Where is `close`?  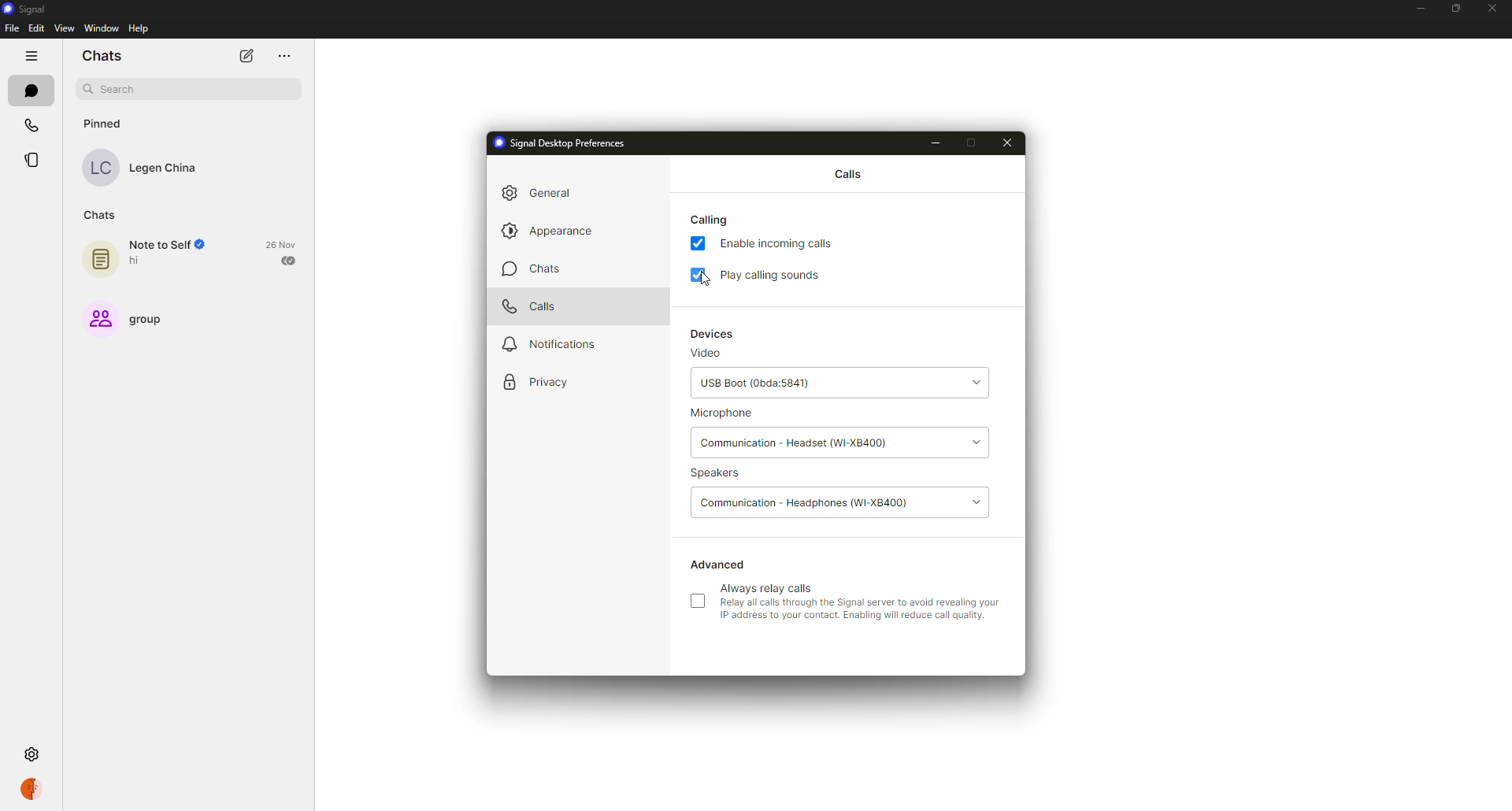 close is located at coordinates (1491, 9).